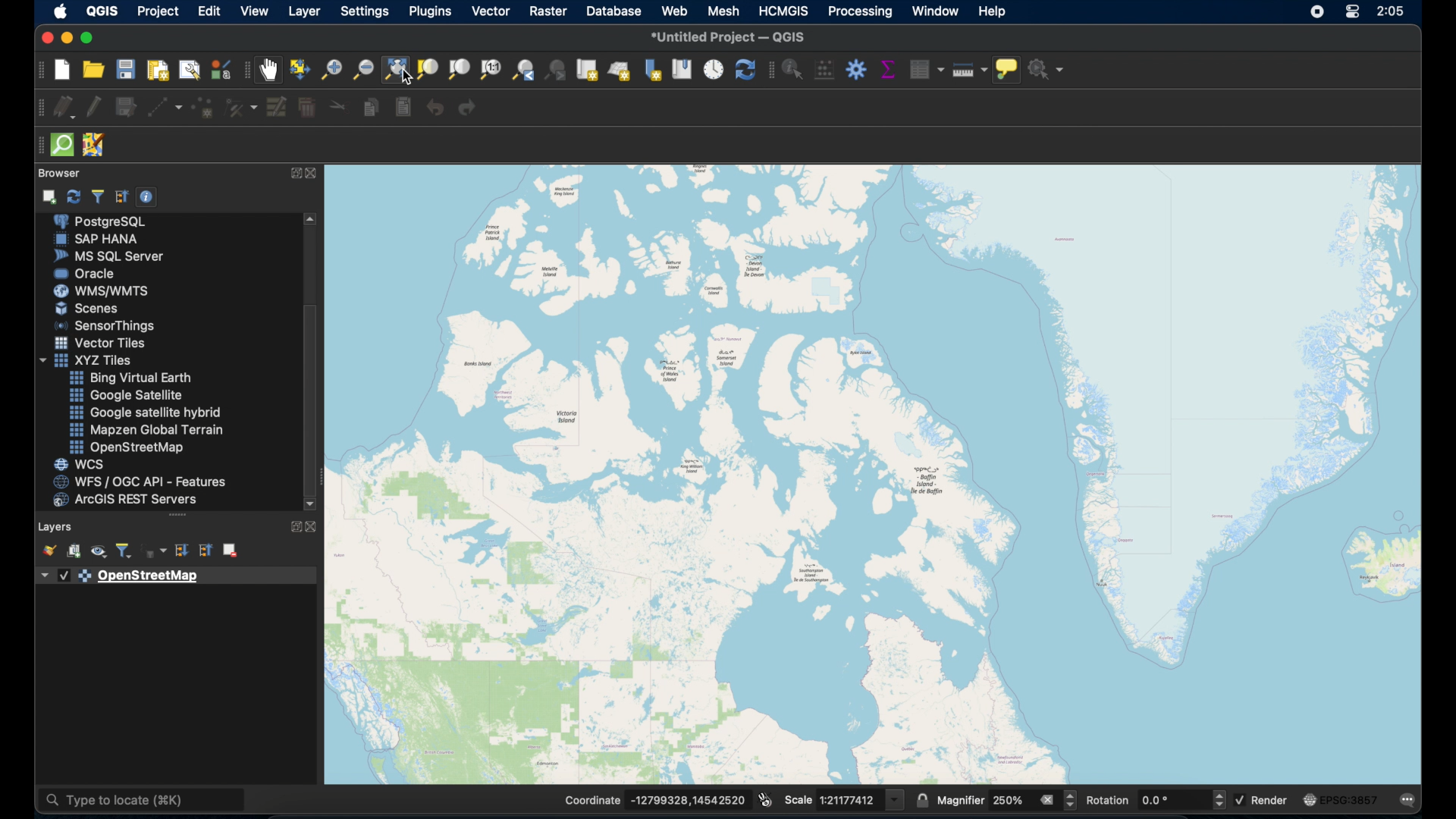  What do you see at coordinates (526, 71) in the screenshot?
I see `zoom last` at bounding box center [526, 71].